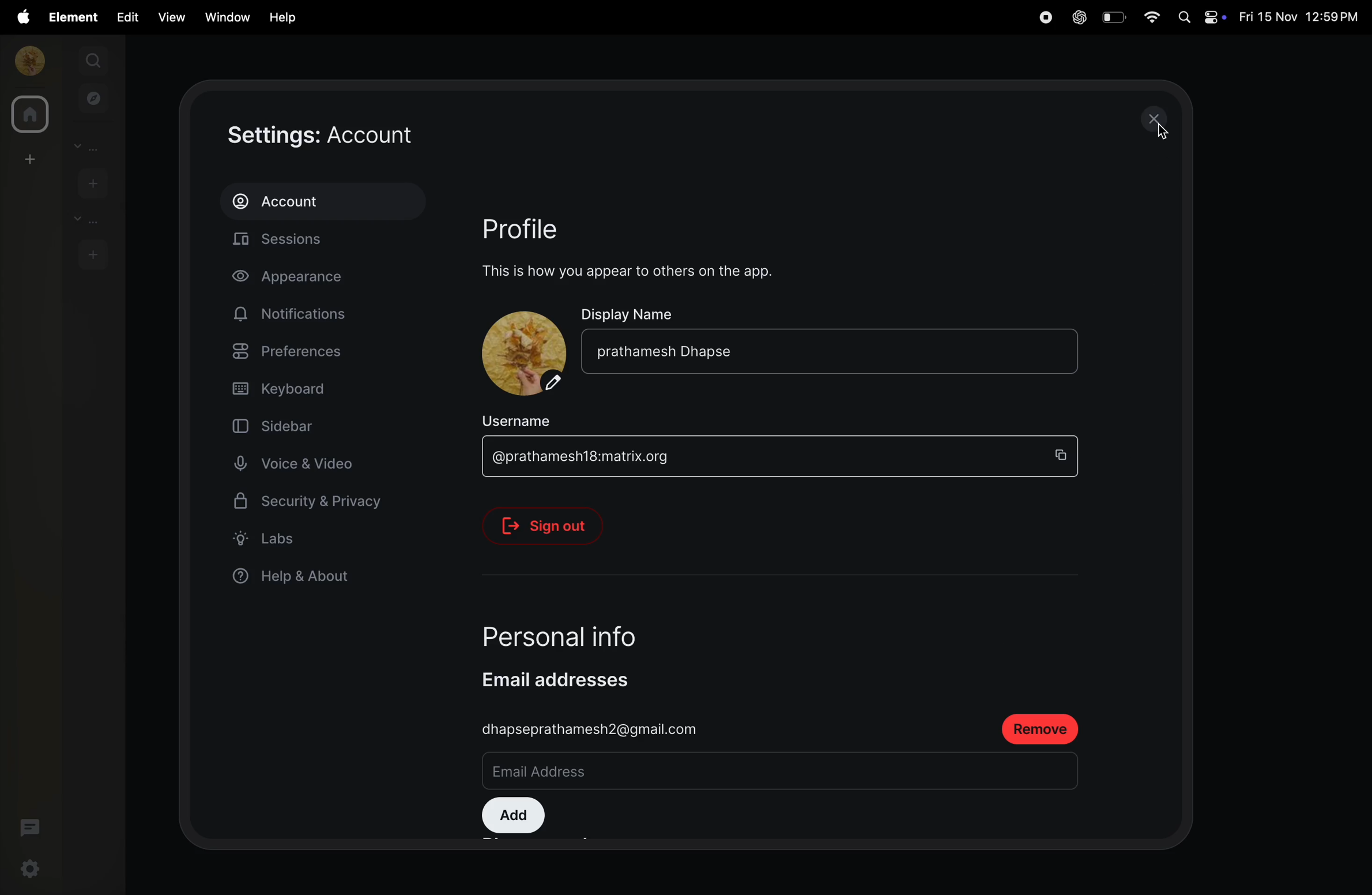 The height and width of the screenshot is (895, 1372). I want to click on settings, so click(28, 871).